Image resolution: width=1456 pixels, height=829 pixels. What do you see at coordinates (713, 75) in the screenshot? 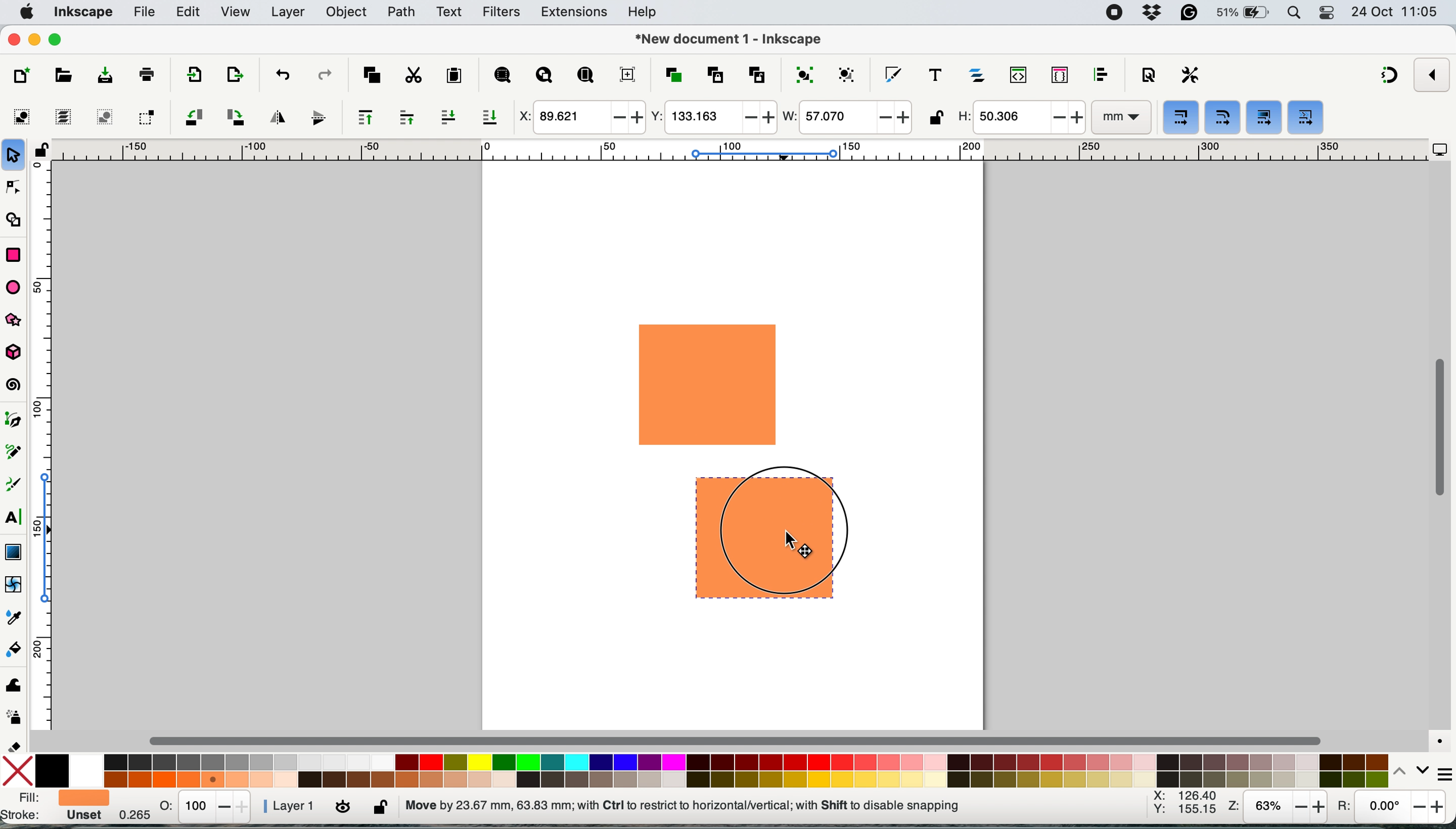
I see `create clone` at bounding box center [713, 75].